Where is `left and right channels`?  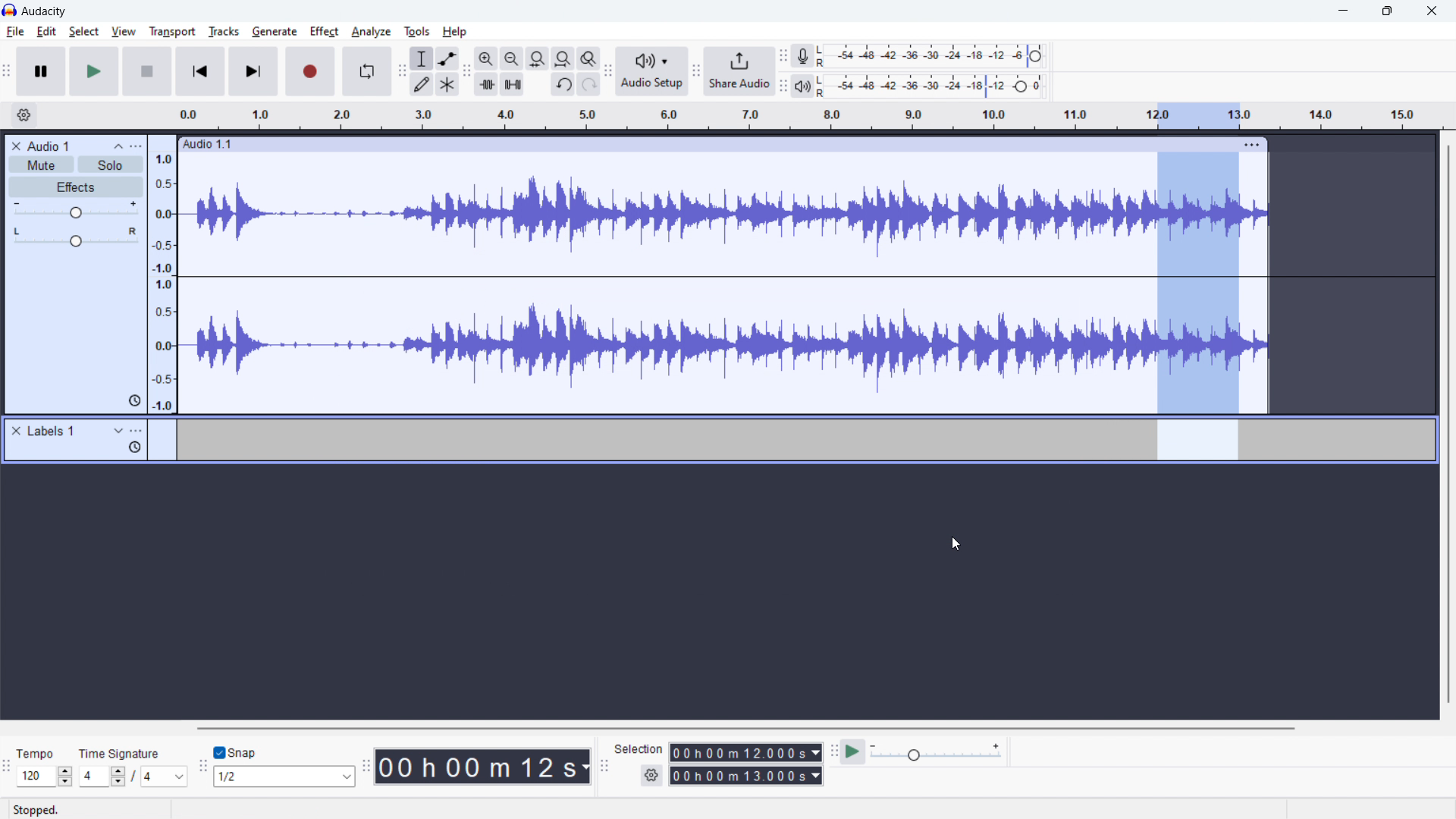 left and right channels is located at coordinates (824, 58).